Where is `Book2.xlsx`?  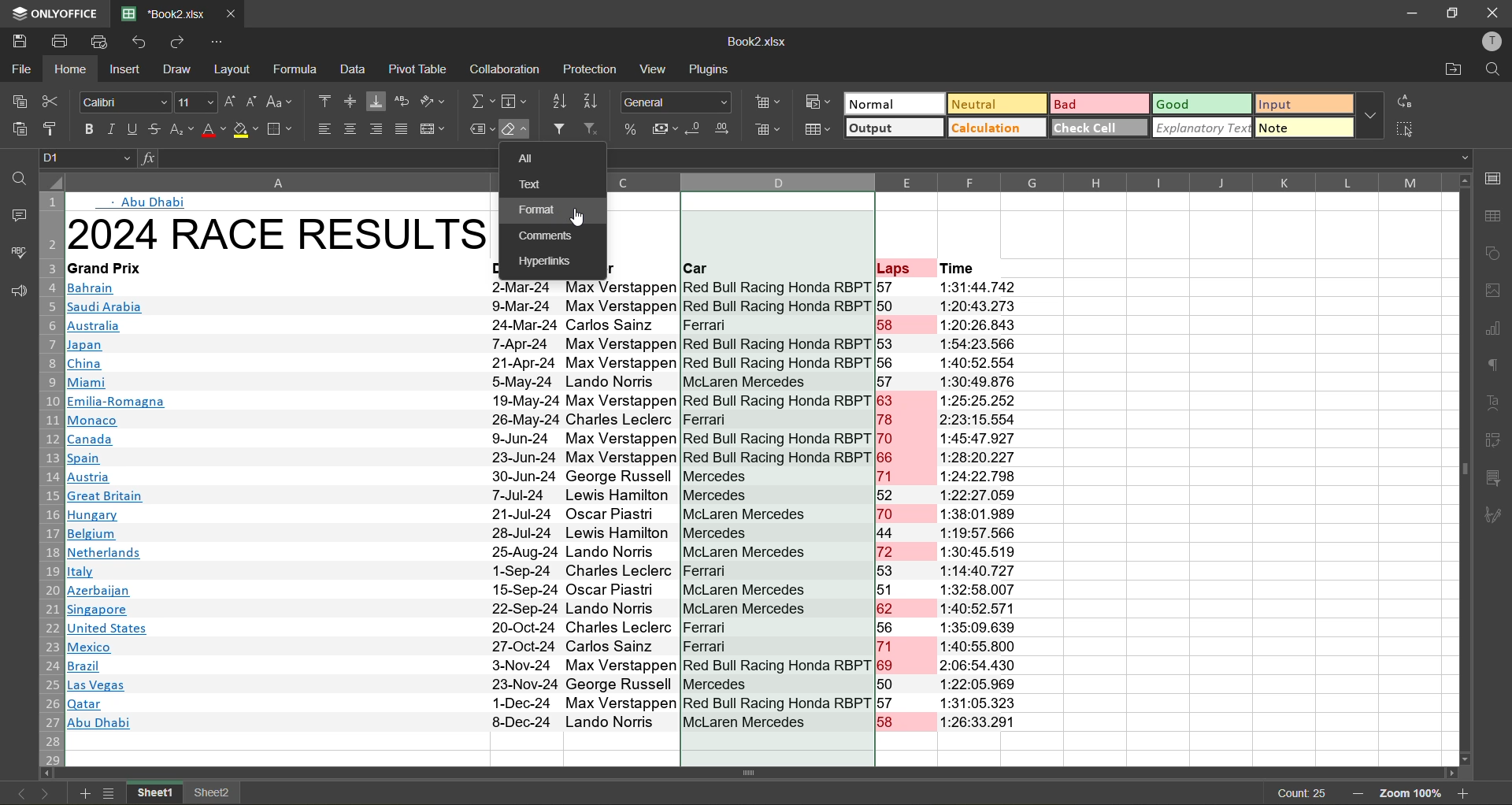 Book2.xlsx is located at coordinates (756, 41).